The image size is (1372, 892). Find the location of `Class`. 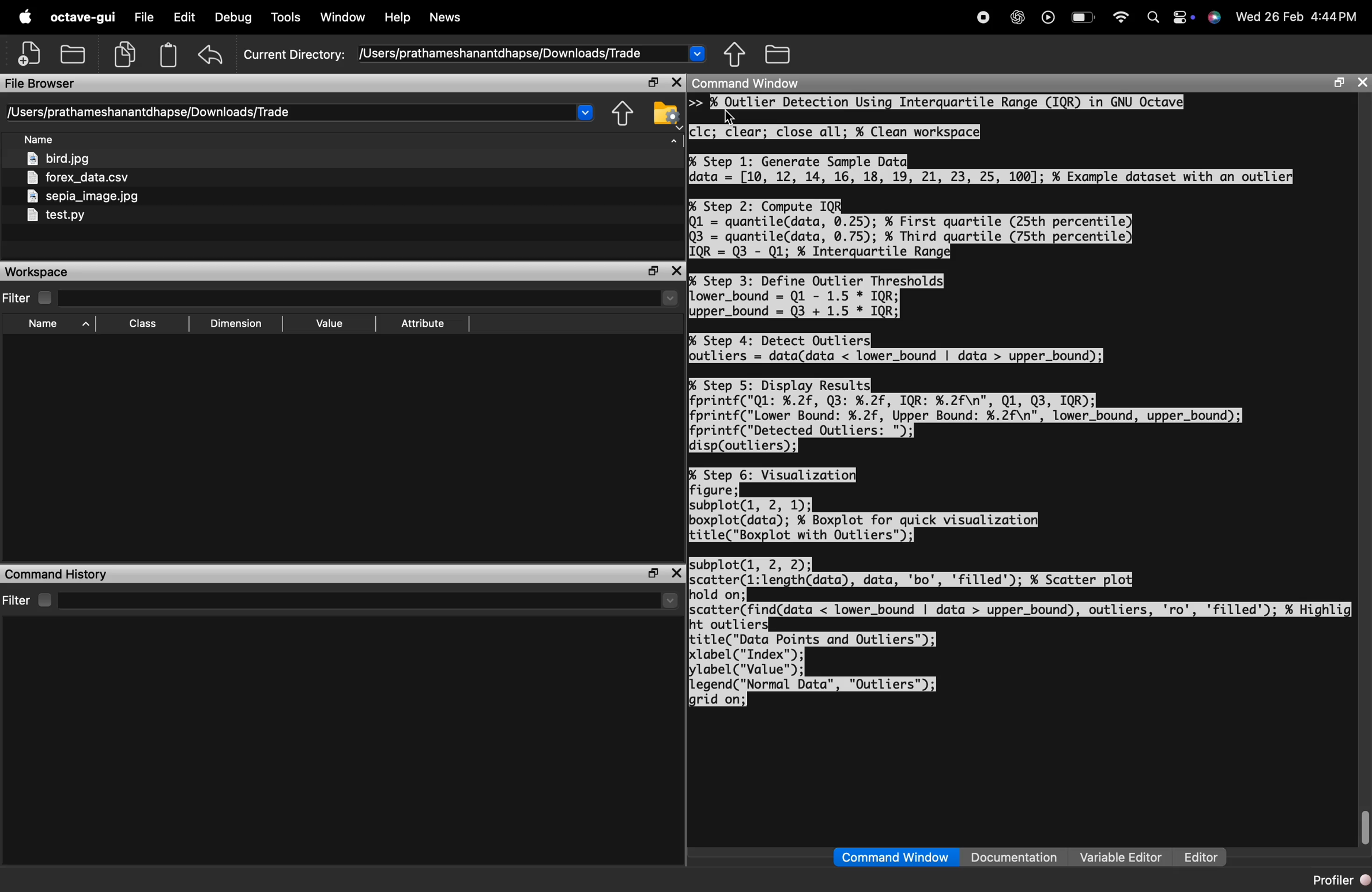

Class is located at coordinates (142, 323).